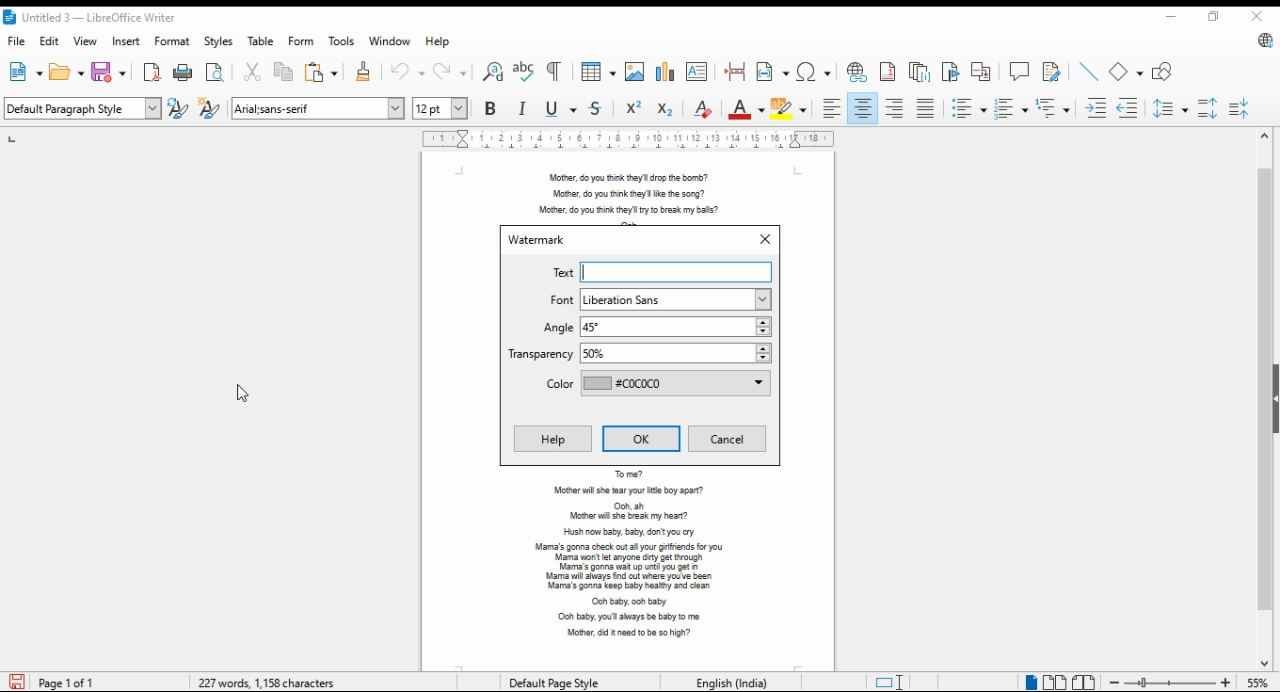  Describe the element at coordinates (318, 107) in the screenshot. I see `font settings` at that location.